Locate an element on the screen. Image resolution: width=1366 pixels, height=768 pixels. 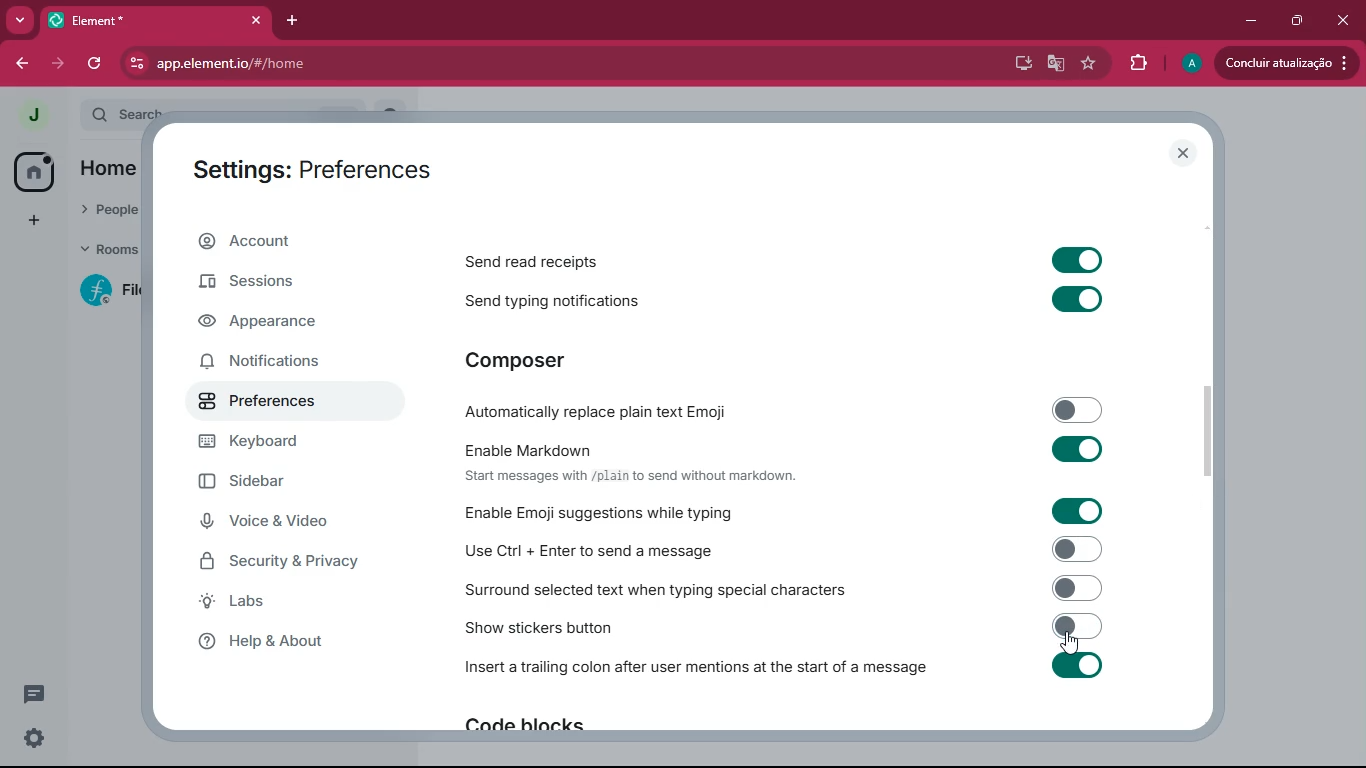
add tab is located at coordinates (296, 20).